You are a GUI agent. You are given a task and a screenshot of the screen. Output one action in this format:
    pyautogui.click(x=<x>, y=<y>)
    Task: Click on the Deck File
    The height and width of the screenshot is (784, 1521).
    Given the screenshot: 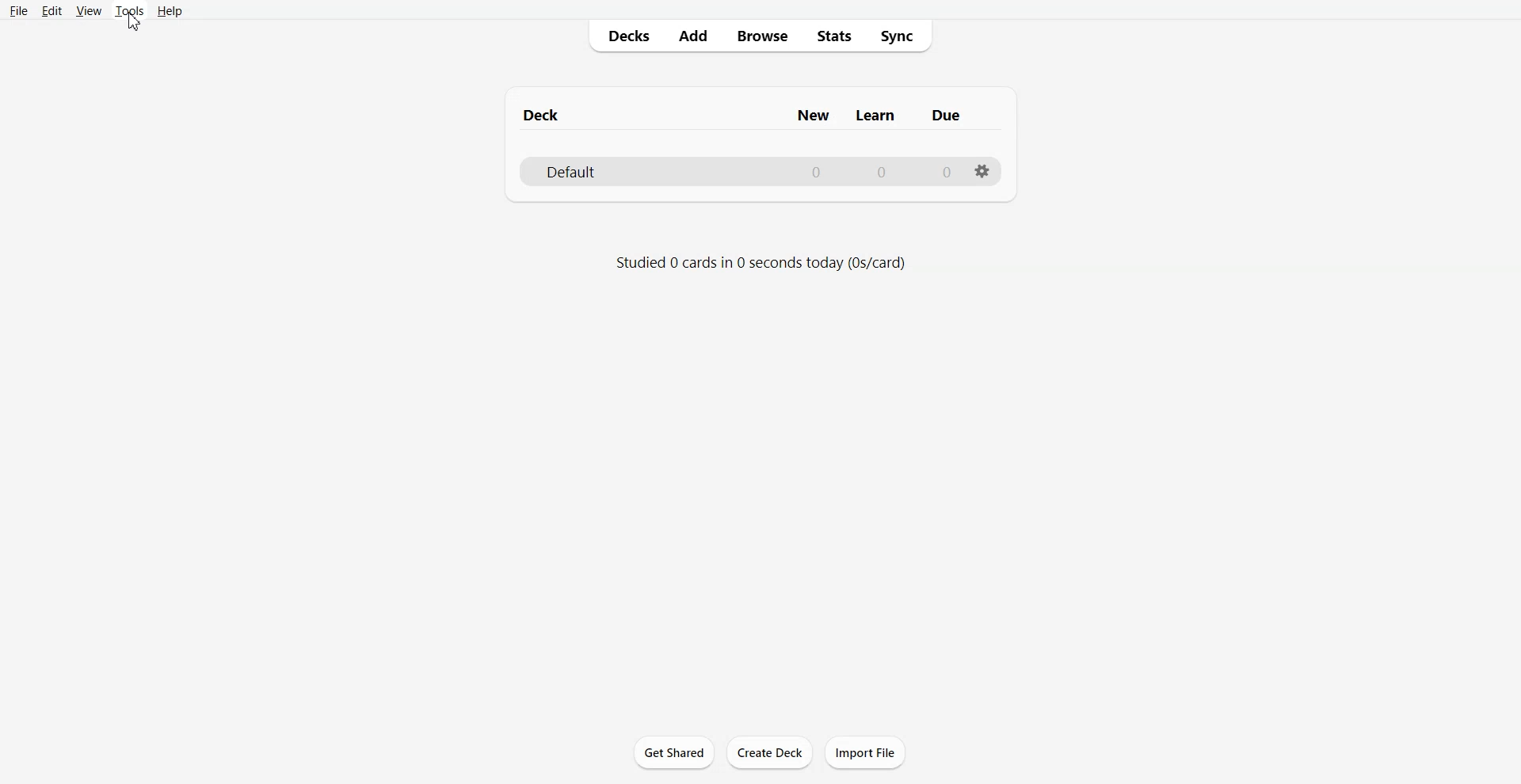 What is the action you would take?
    pyautogui.click(x=759, y=170)
    